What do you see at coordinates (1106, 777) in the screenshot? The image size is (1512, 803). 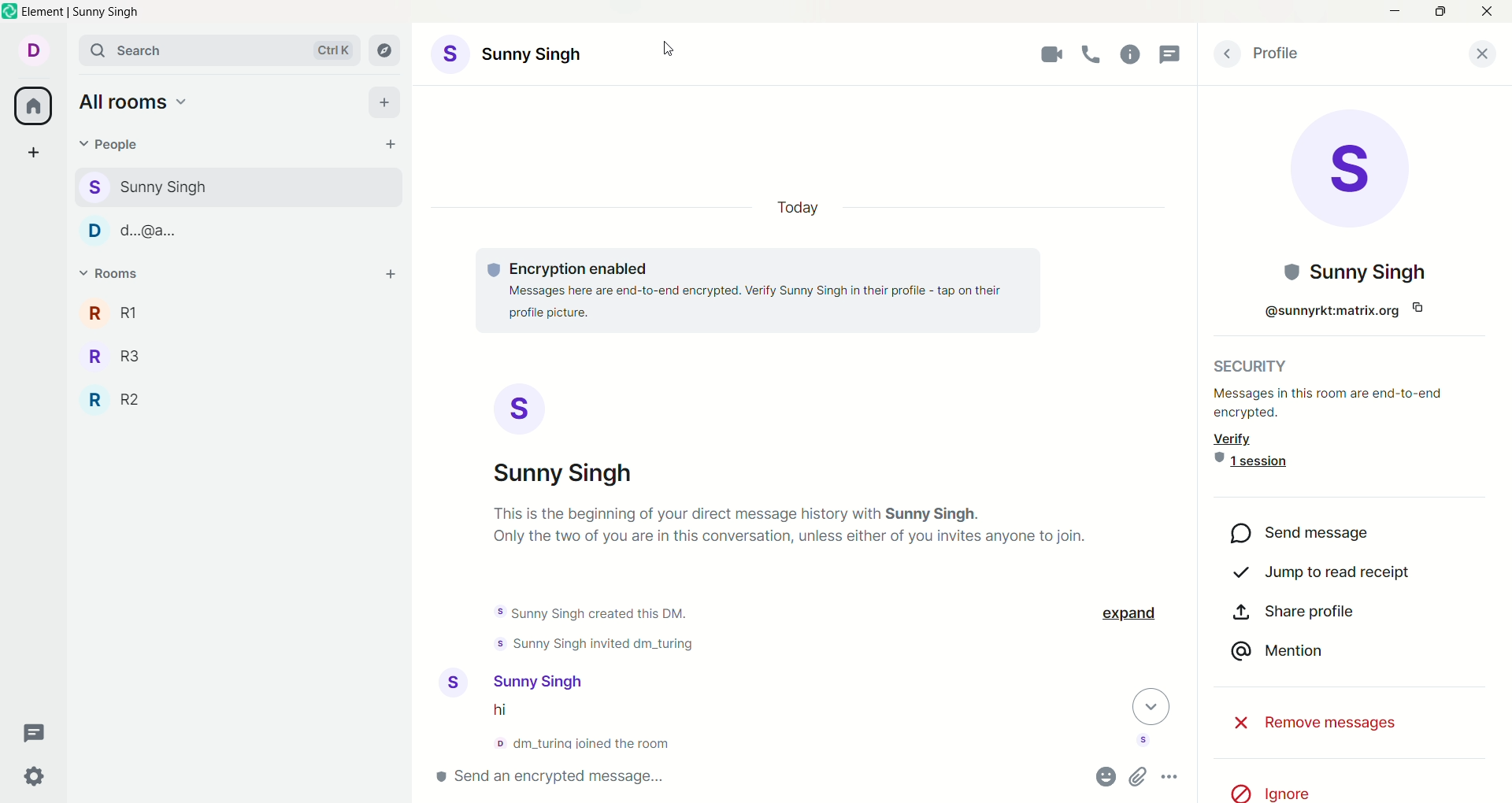 I see `Add Emoji` at bounding box center [1106, 777].